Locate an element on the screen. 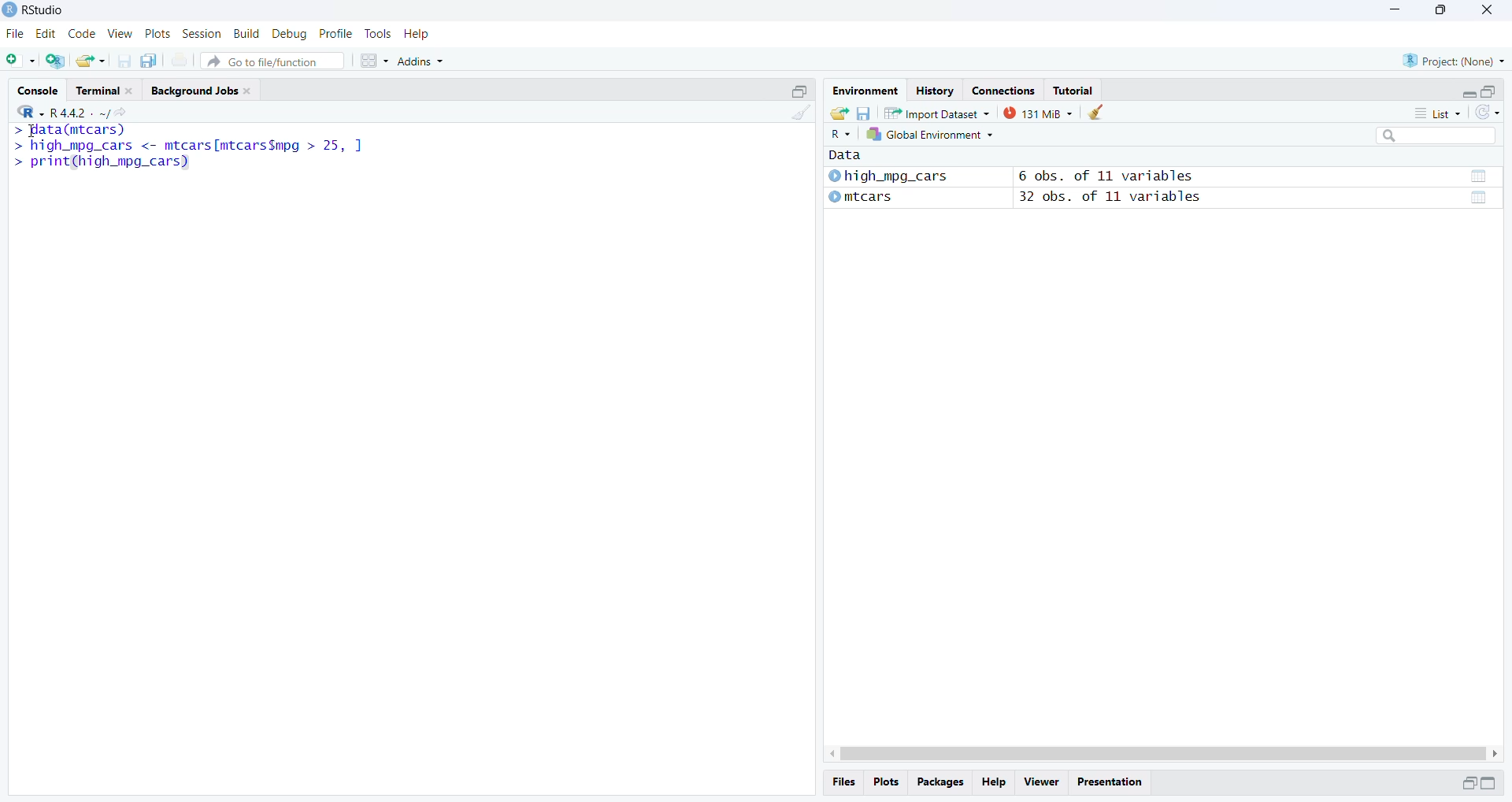 The width and height of the screenshot is (1512, 802). Tools is located at coordinates (376, 32).